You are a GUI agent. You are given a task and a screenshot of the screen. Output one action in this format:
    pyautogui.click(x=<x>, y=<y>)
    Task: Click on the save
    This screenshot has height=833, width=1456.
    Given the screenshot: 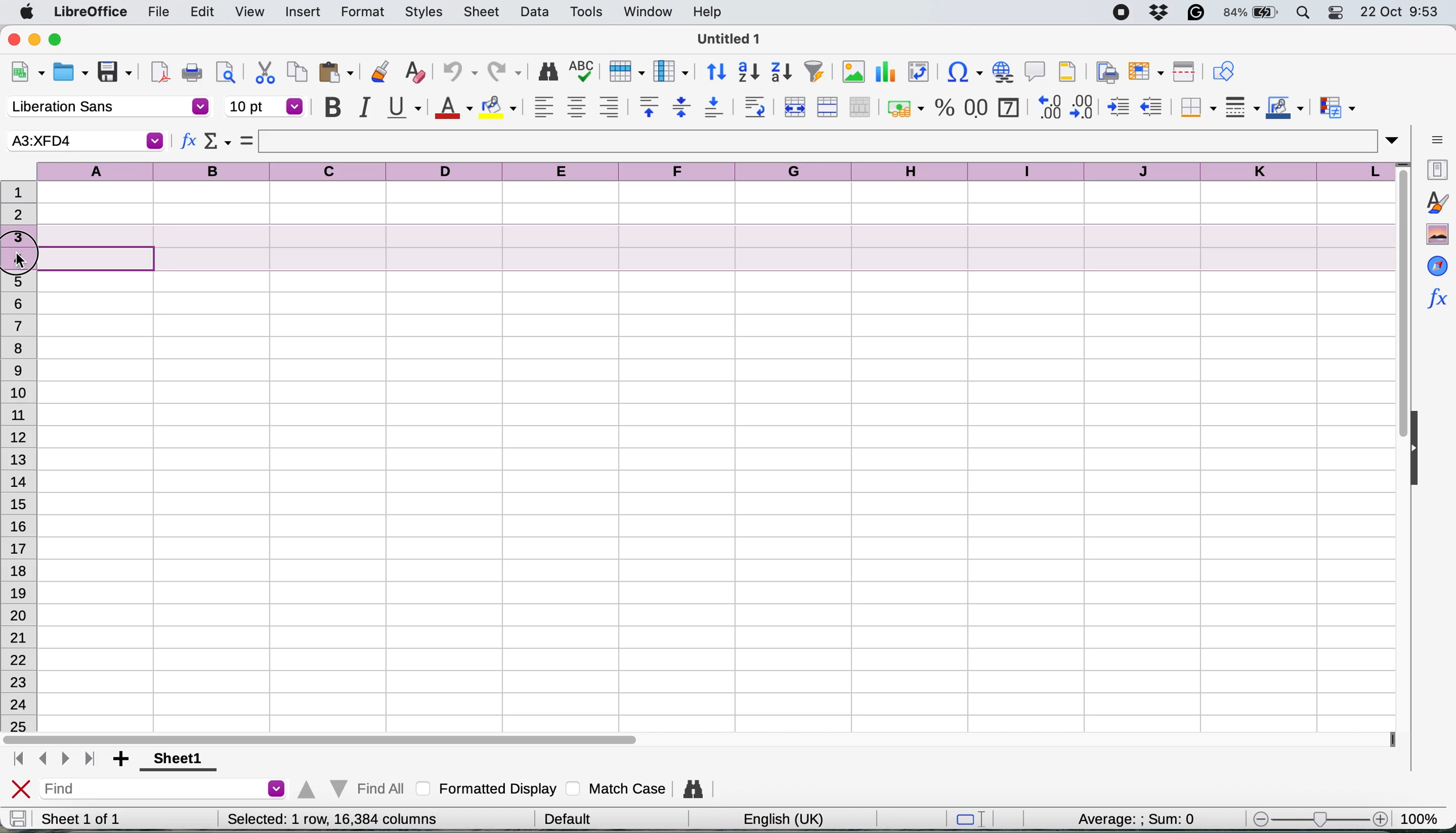 What is the action you would take?
    pyautogui.click(x=18, y=818)
    